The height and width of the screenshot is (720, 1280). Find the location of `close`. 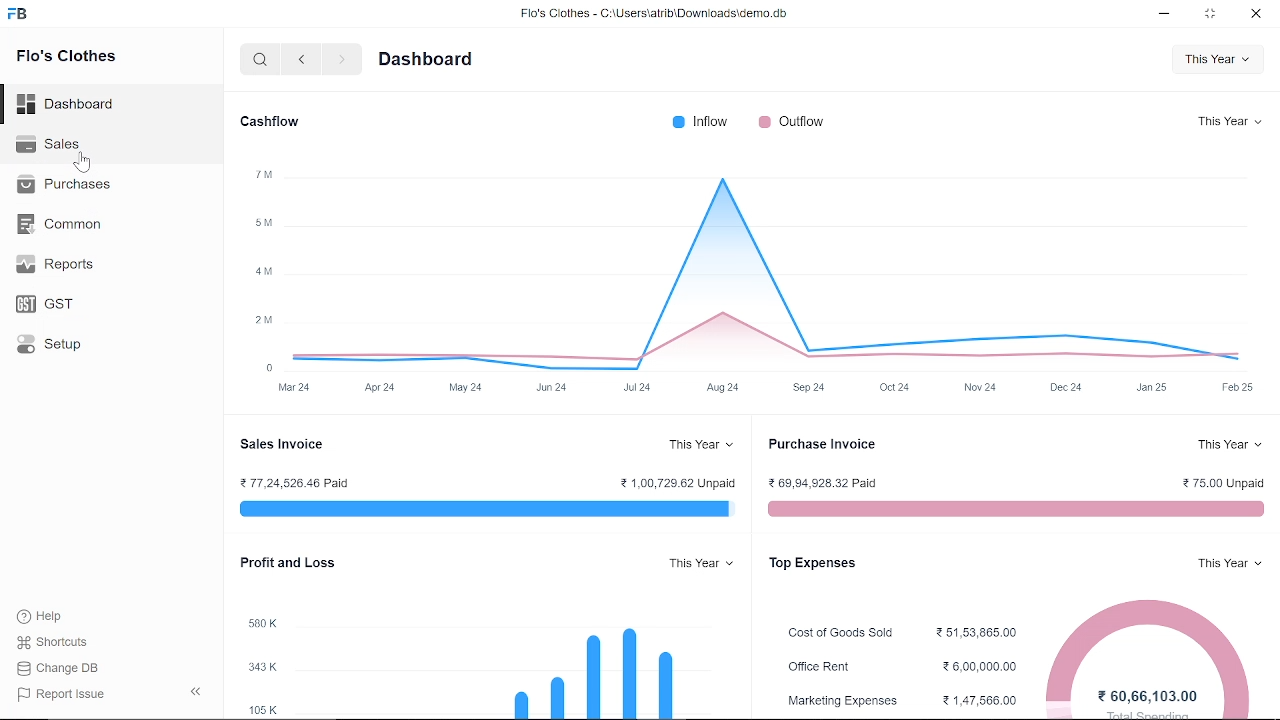

close is located at coordinates (1254, 15).